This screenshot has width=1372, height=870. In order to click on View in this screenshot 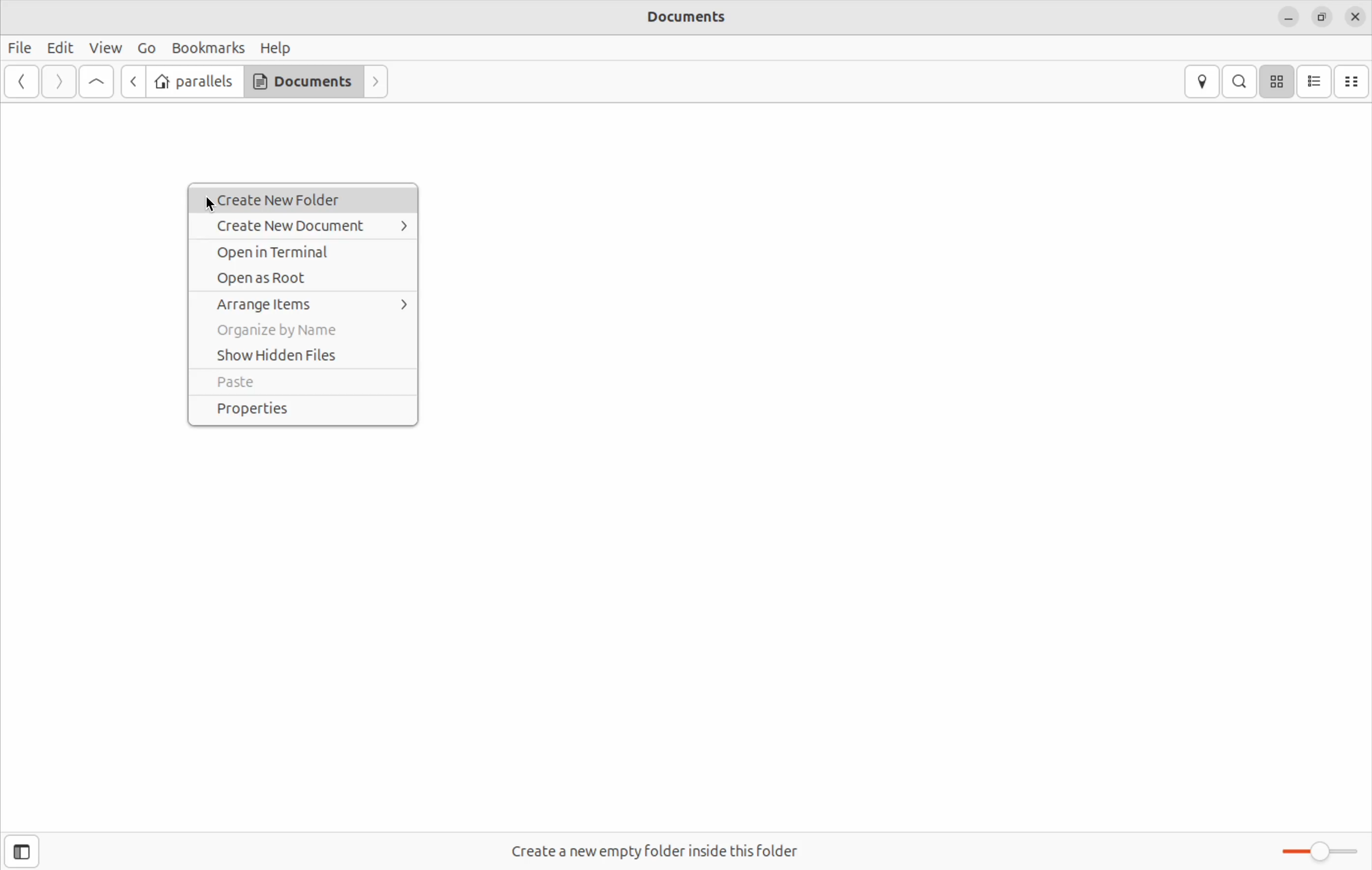, I will do `click(107, 48)`.